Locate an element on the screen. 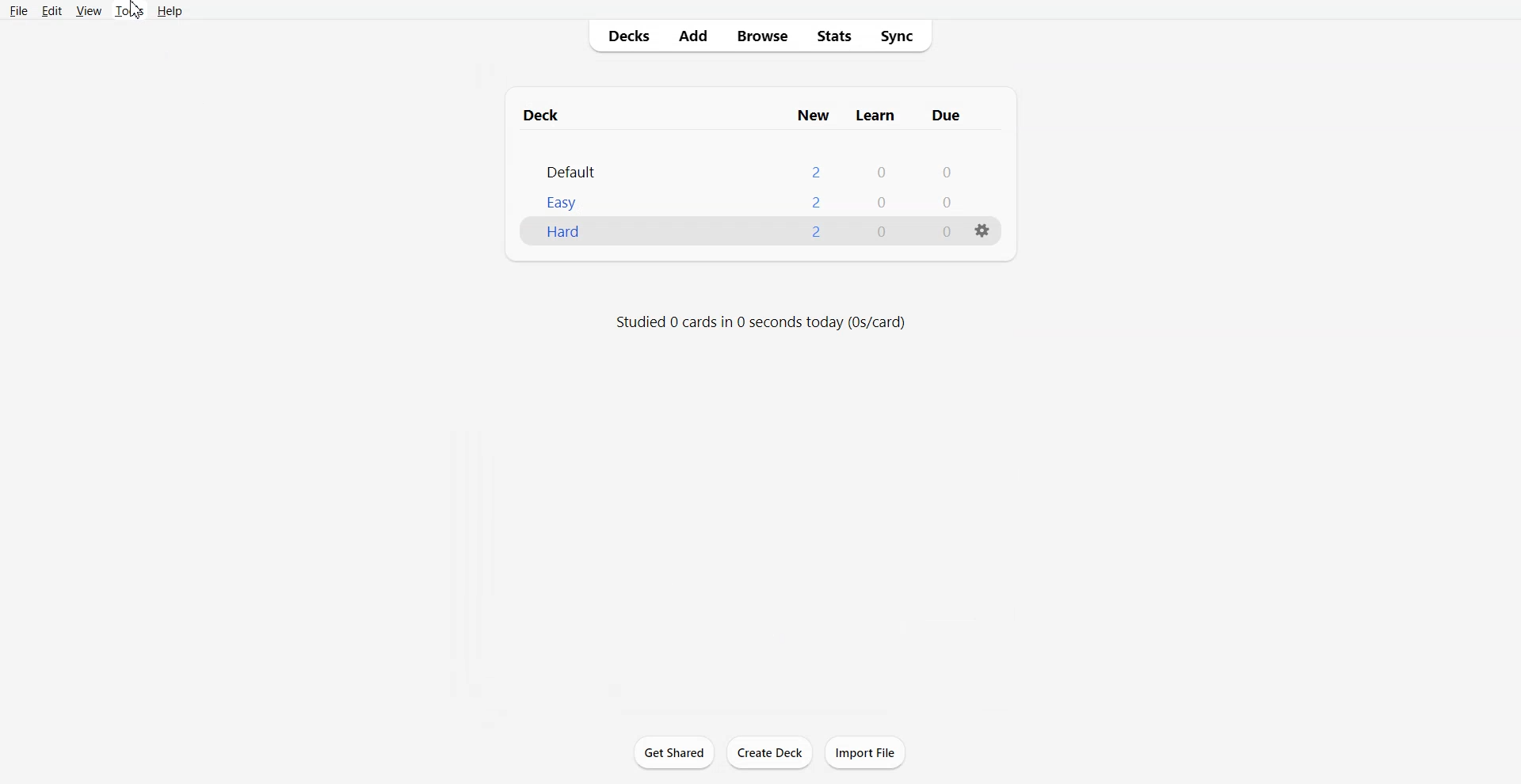 This screenshot has height=784, width=1521. Decks is located at coordinates (623, 36).